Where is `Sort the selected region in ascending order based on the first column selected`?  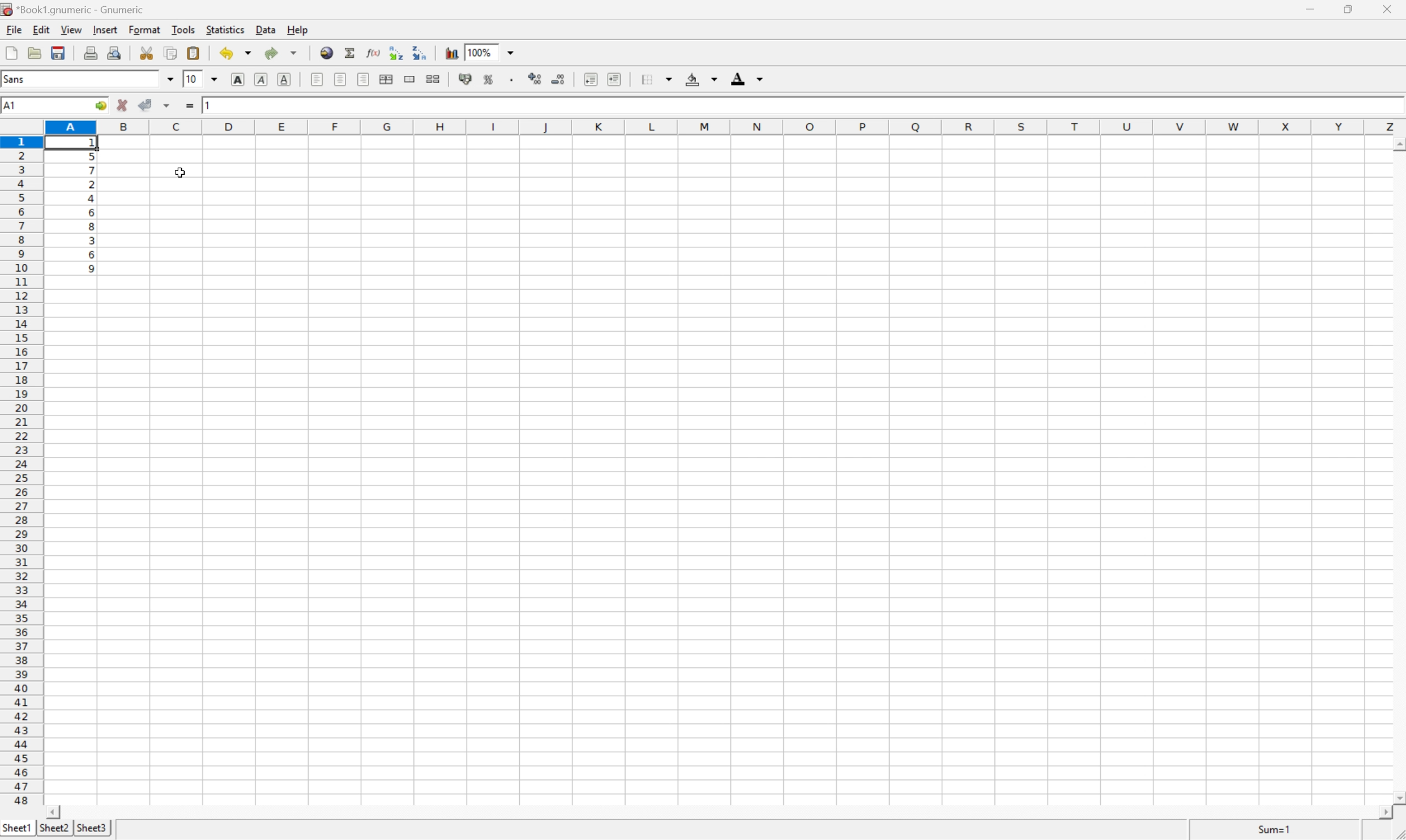
Sort the selected region in ascending order based on the first column selected is located at coordinates (396, 53).